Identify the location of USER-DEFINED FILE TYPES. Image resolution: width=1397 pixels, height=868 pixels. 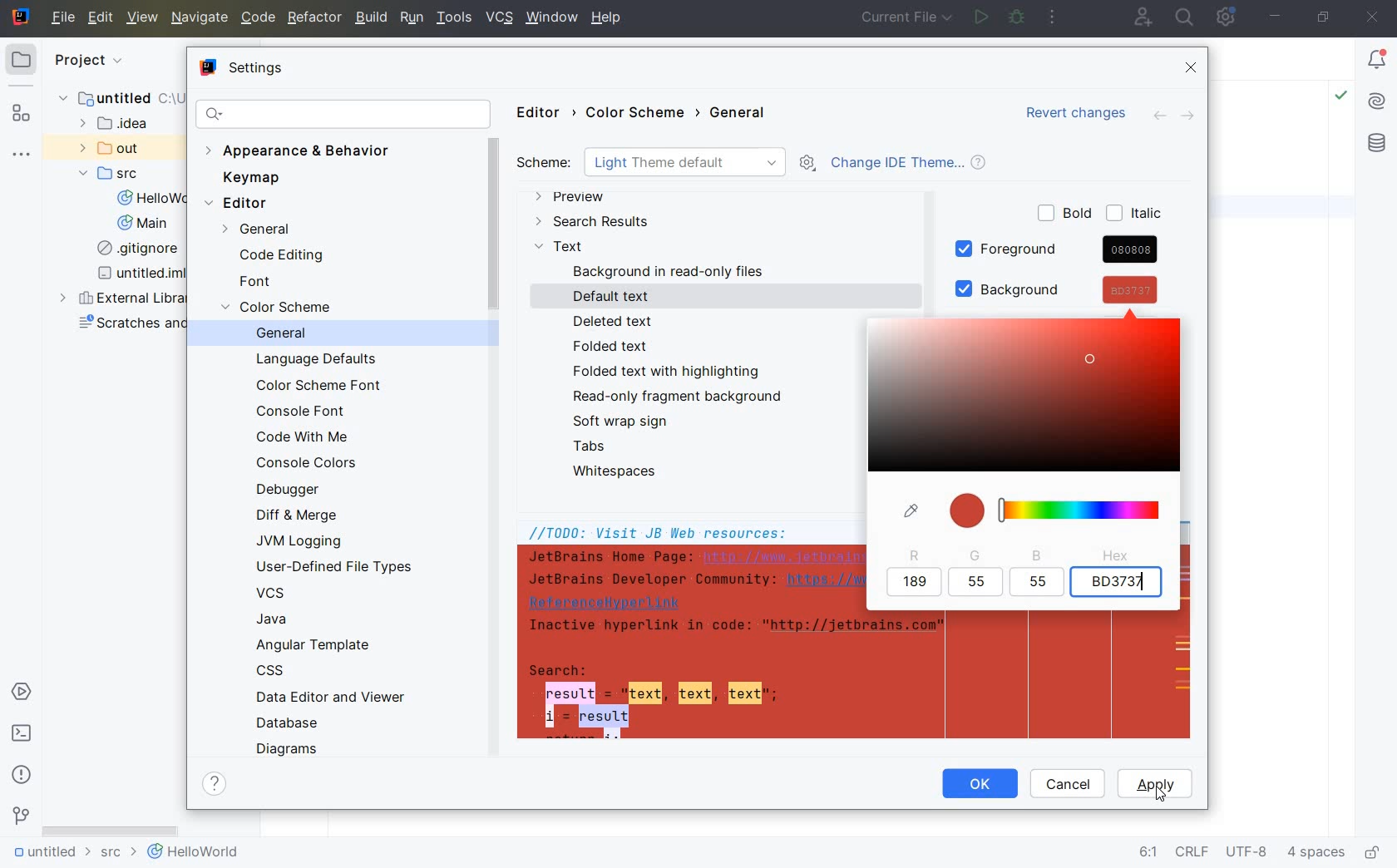
(334, 567).